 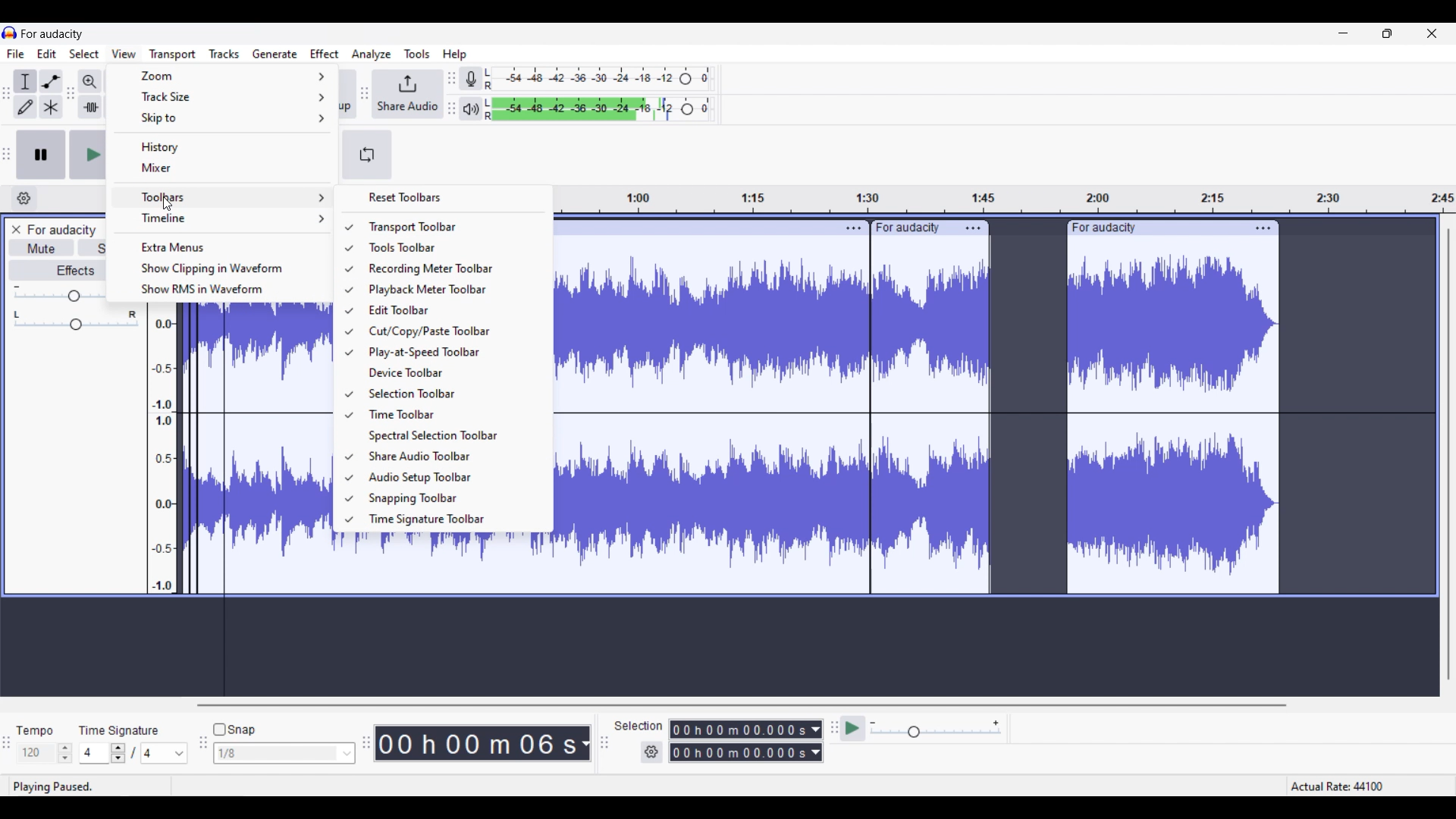 I want to click on Time toolbar, so click(x=450, y=414).